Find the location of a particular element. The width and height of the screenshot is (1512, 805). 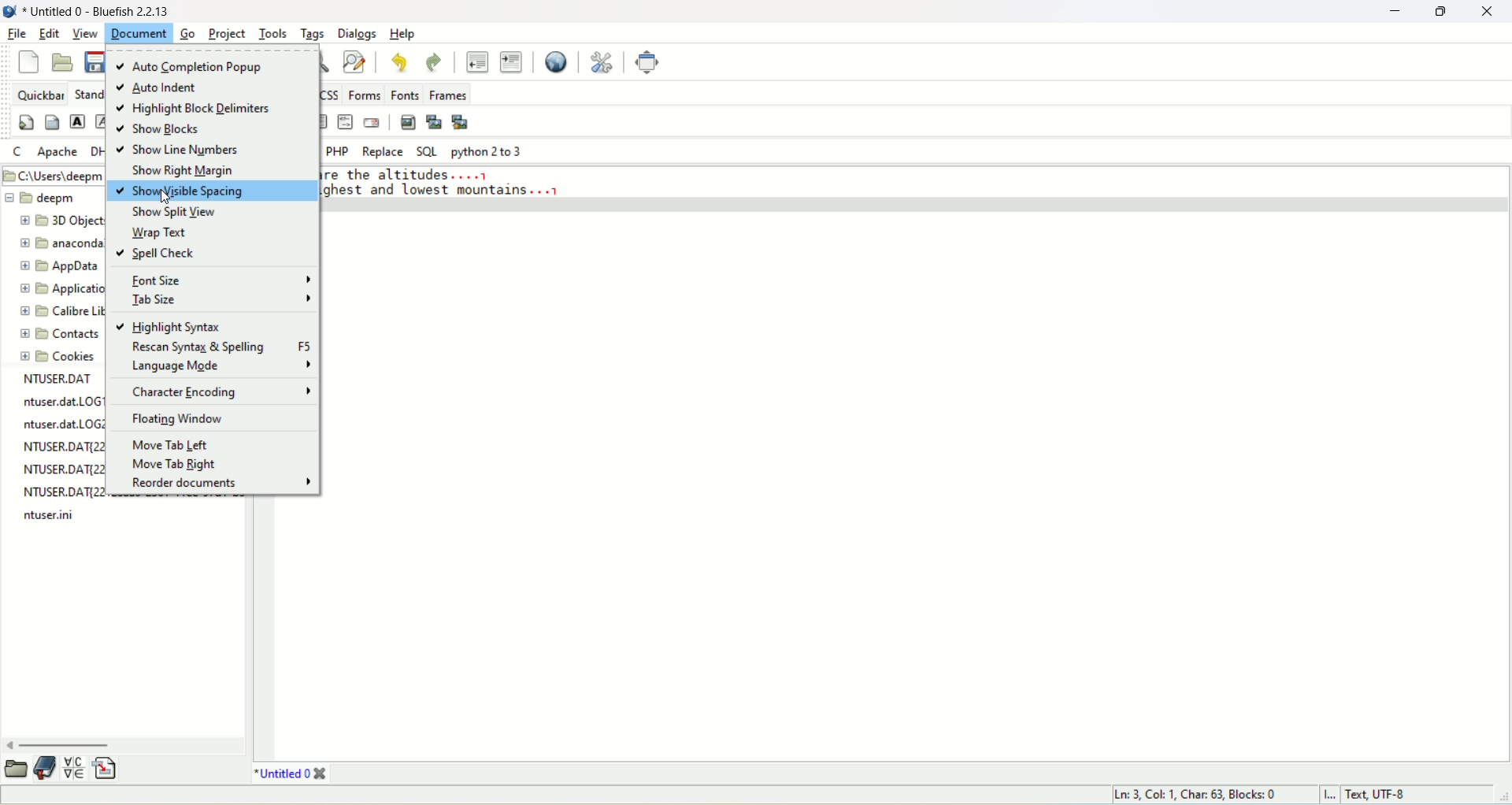

move tab left is located at coordinates (171, 445).